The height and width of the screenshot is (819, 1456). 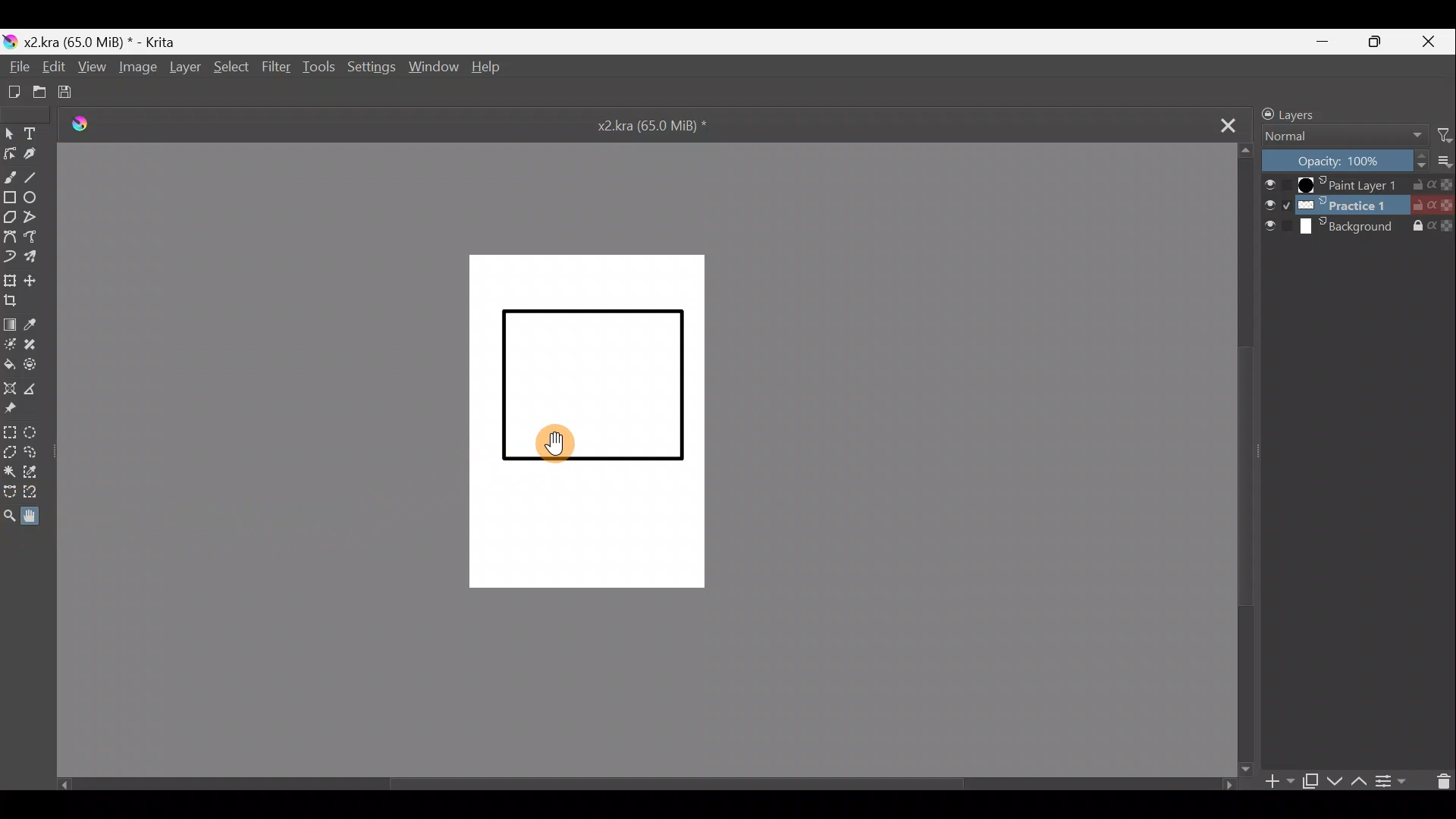 What do you see at coordinates (1357, 207) in the screenshot?
I see `Layer 2` at bounding box center [1357, 207].